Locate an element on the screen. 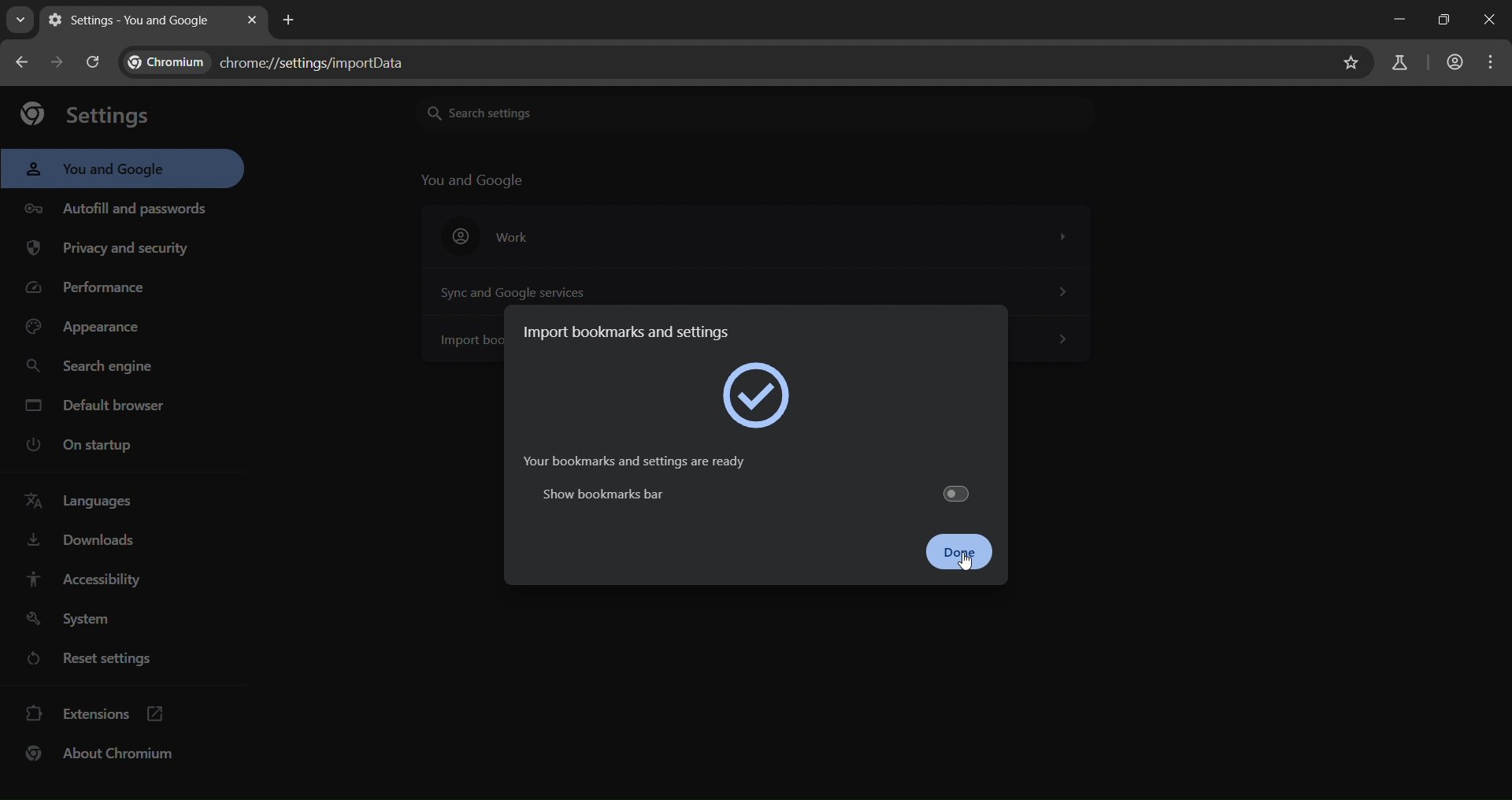 This screenshot has height=800, width=1512. go back page is located at coordinates (25, 61).